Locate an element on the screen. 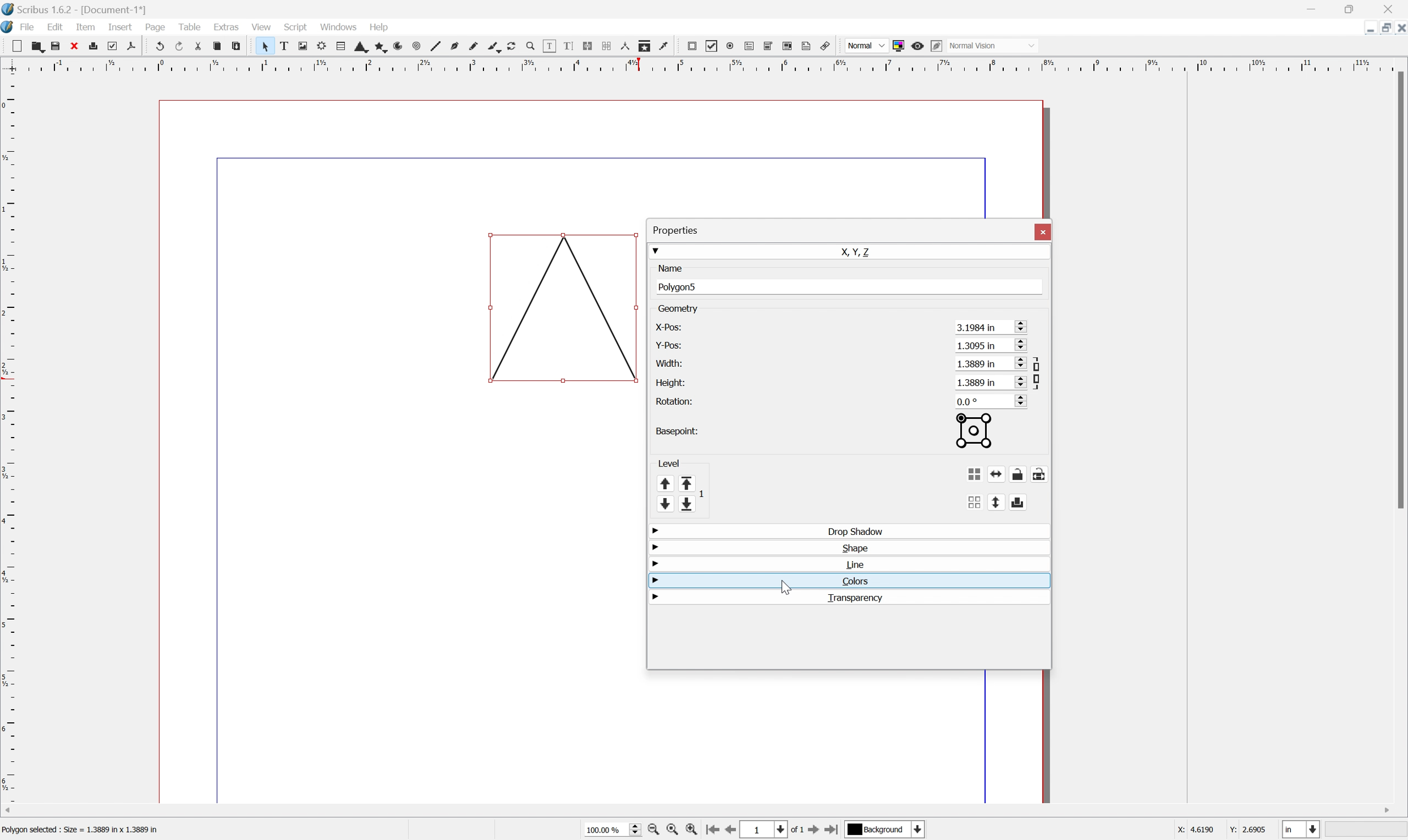 This screenshot has width=1408, height=840. Page is located at coordinates (155, 27).